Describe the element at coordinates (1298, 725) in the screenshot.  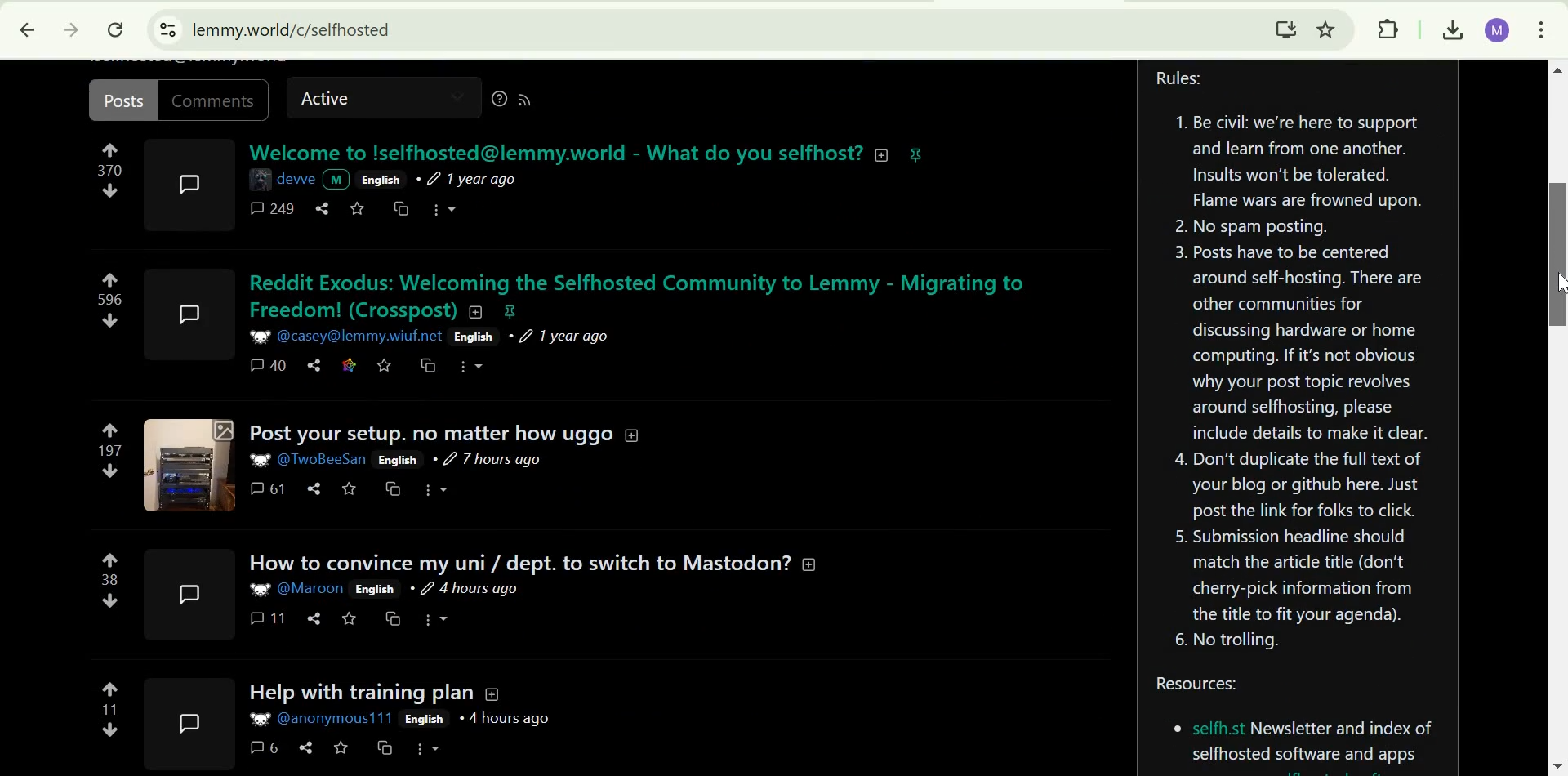
I see `Resources:` at that location.